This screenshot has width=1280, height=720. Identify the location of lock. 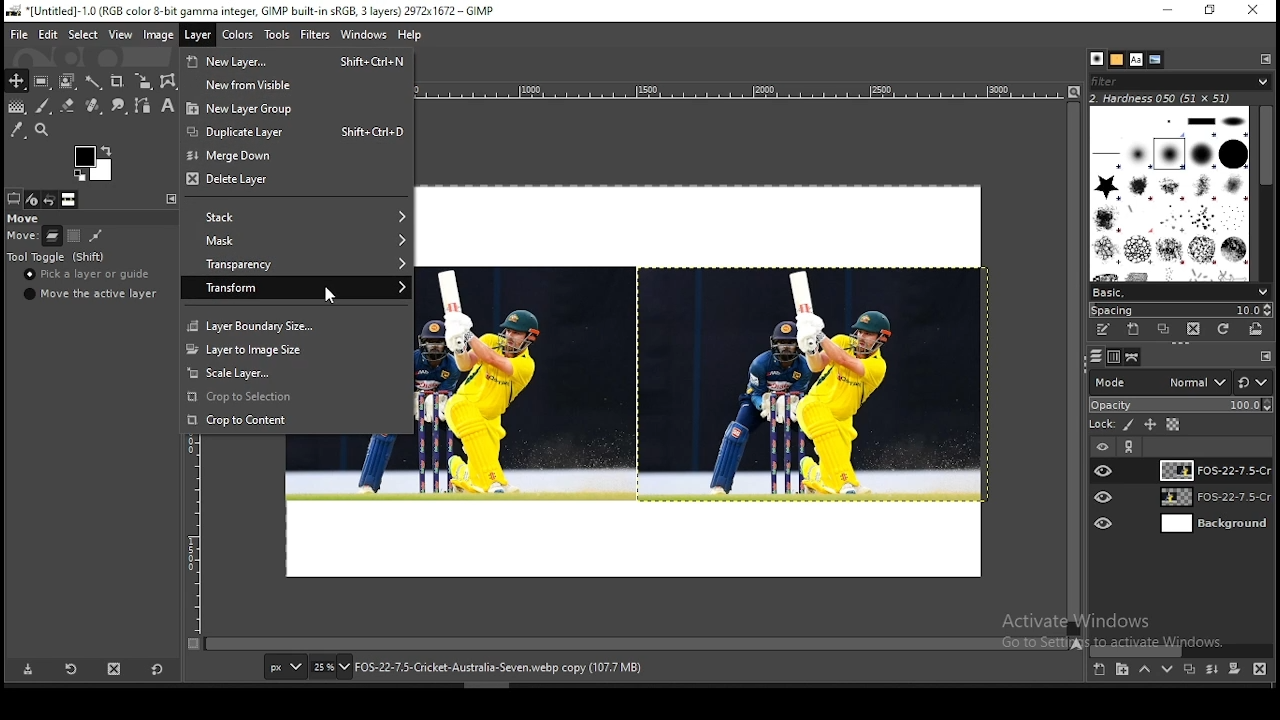
(1100, 425).